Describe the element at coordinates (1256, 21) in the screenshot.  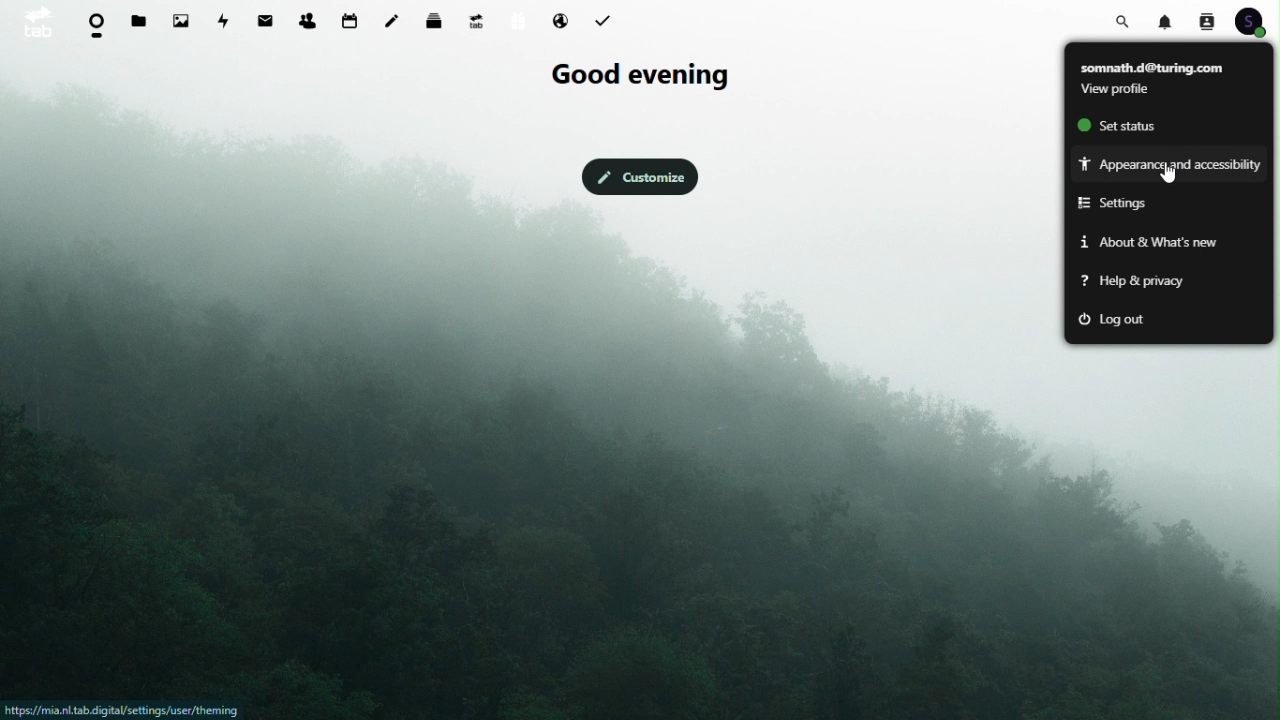
I see `Account icon` at that location.